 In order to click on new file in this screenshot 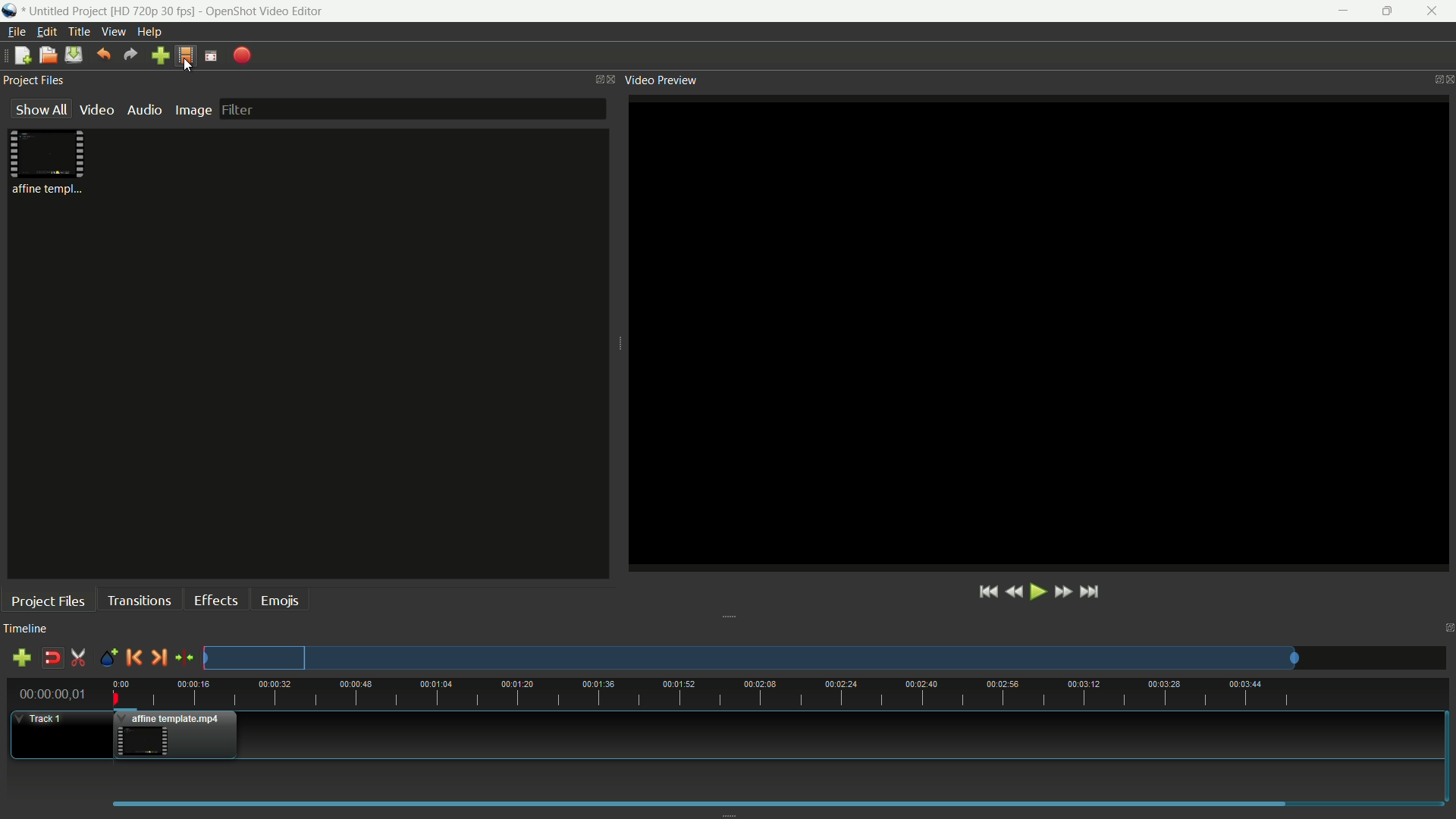, I will do `click(22, 56)`.